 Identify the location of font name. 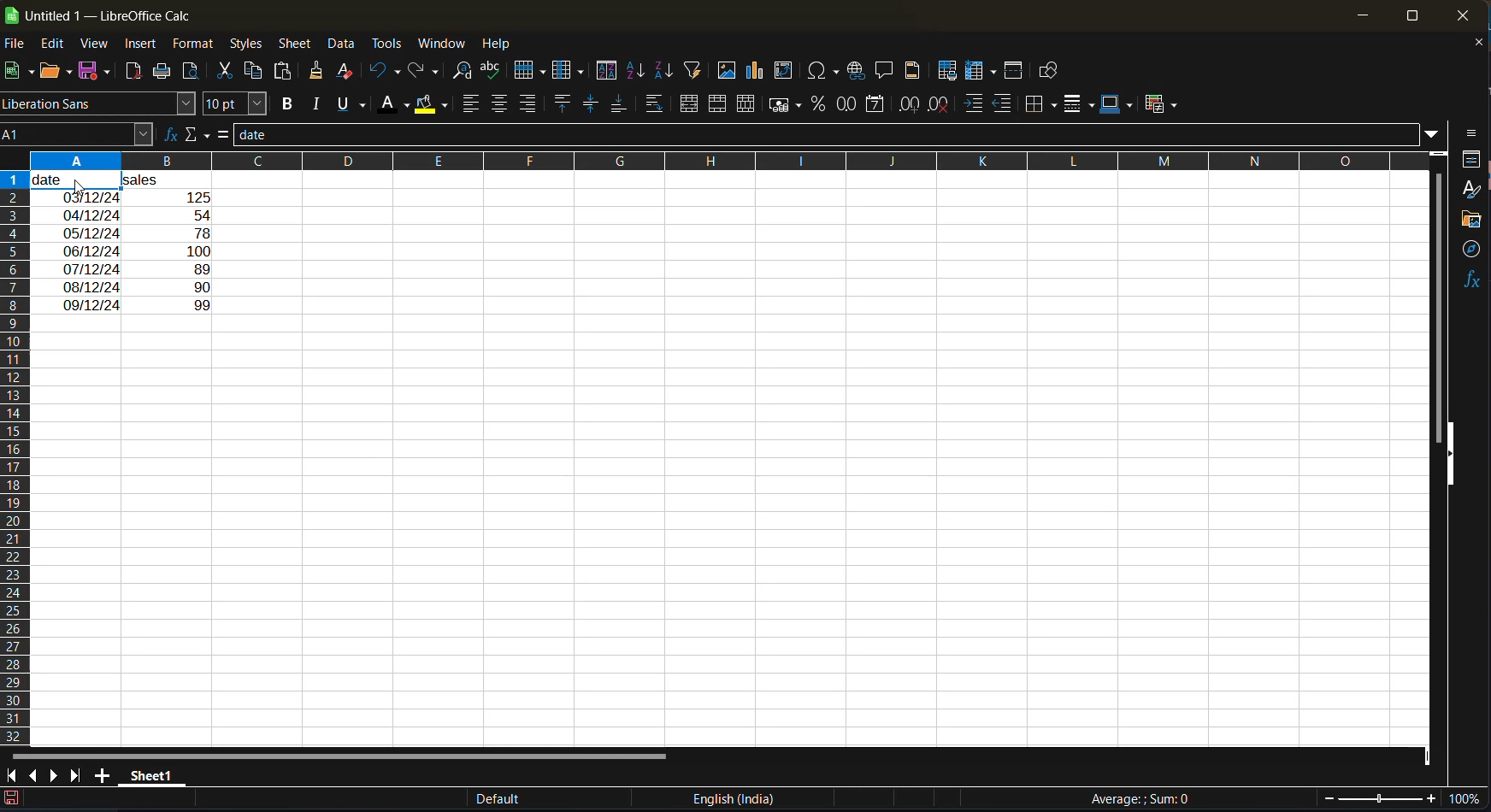
(101, 103).